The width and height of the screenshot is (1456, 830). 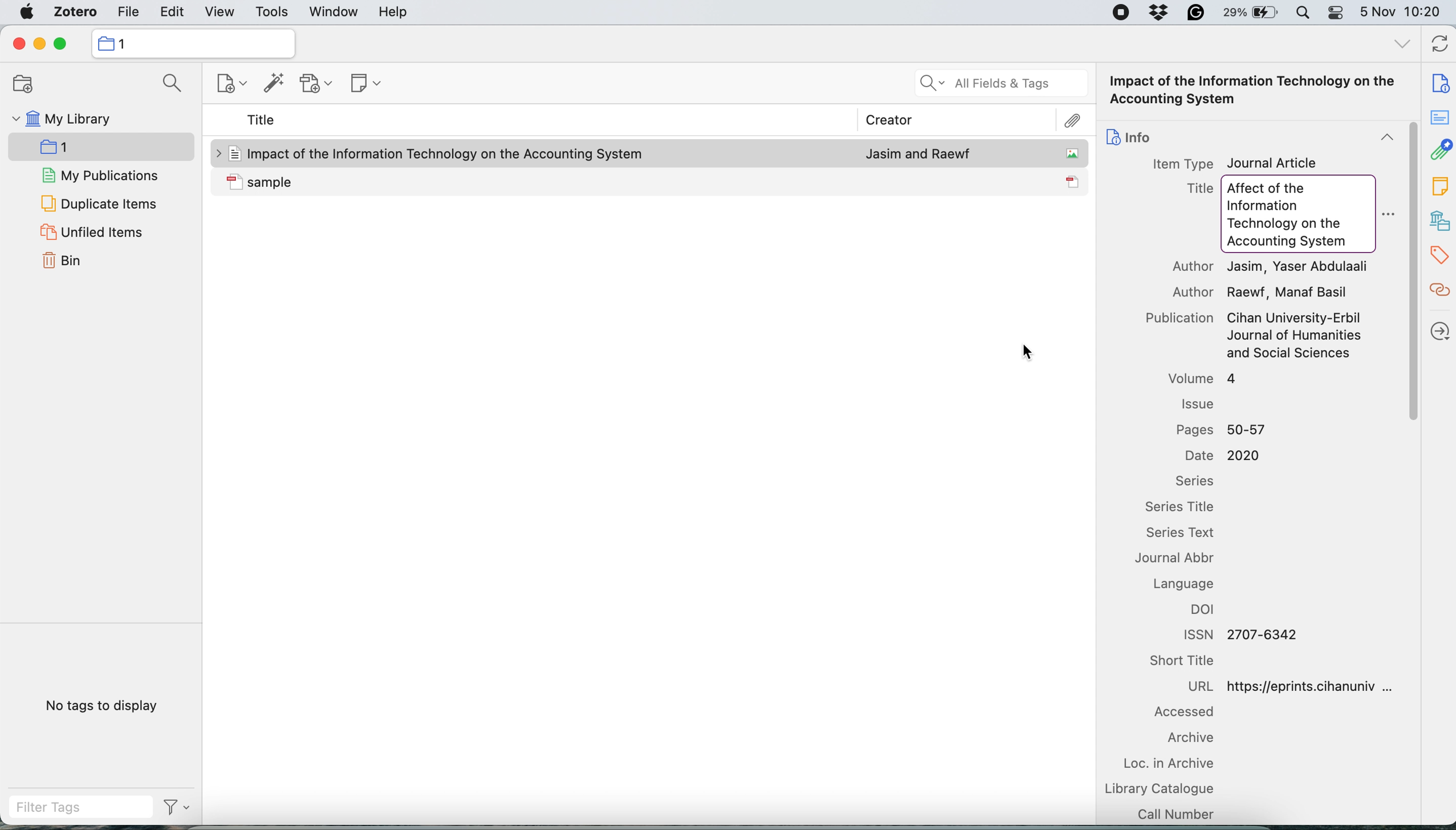 I want to click on zotero, so click(x=72, y=13).